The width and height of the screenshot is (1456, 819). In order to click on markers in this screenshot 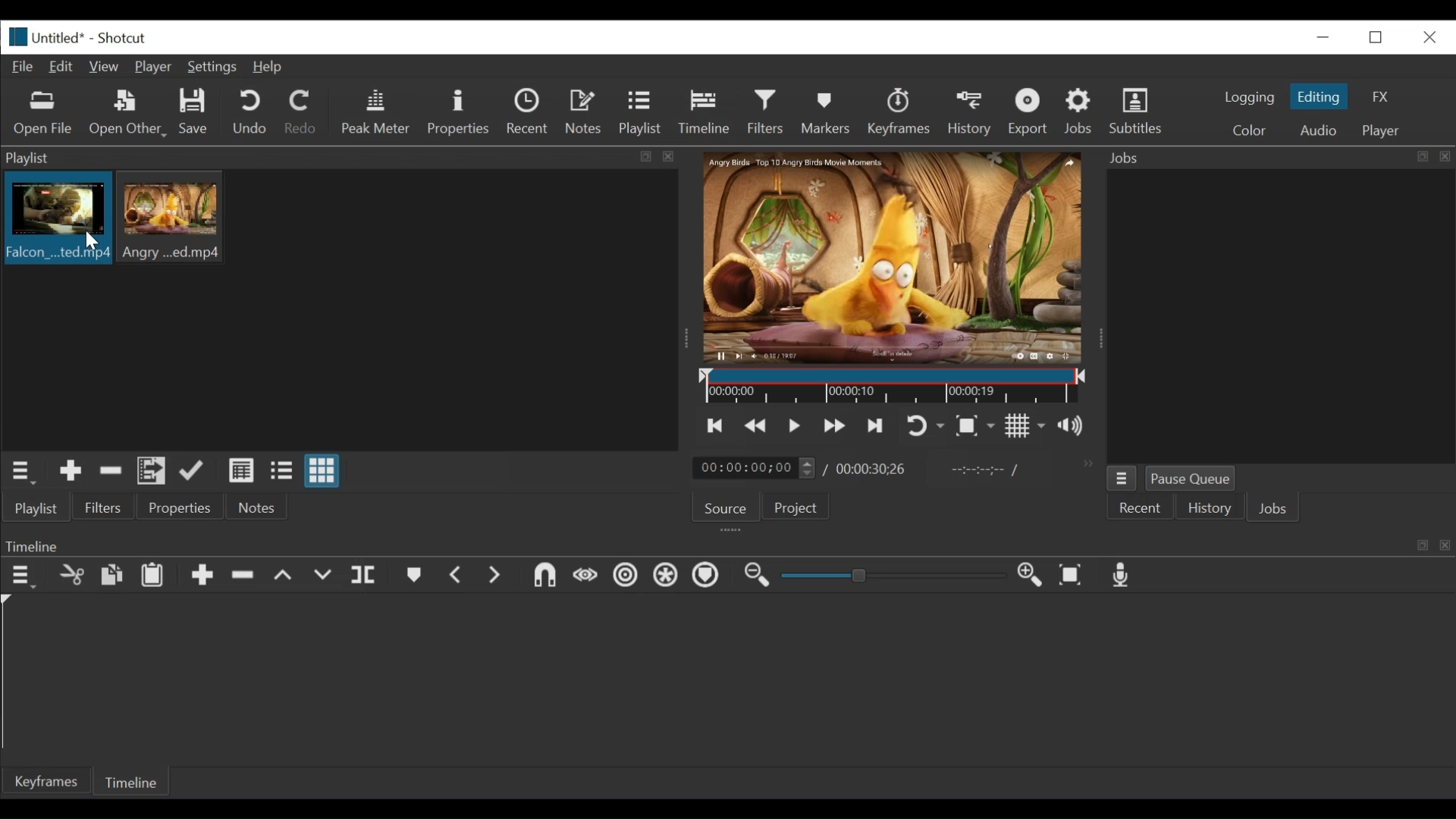, I will do `click(413, 579)`.